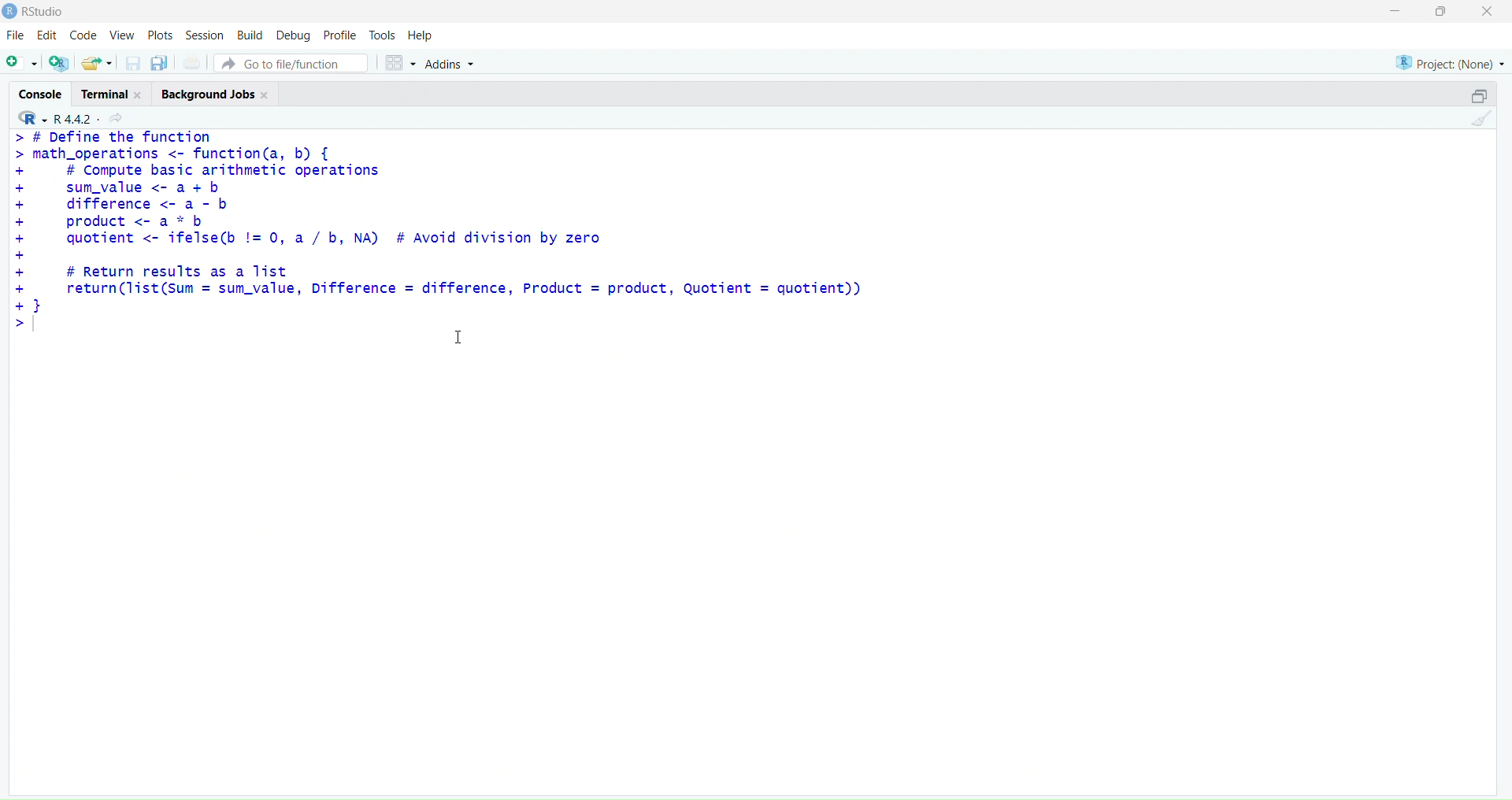  I want to click on Save current document (Ctrl + S), so click(133, 61).